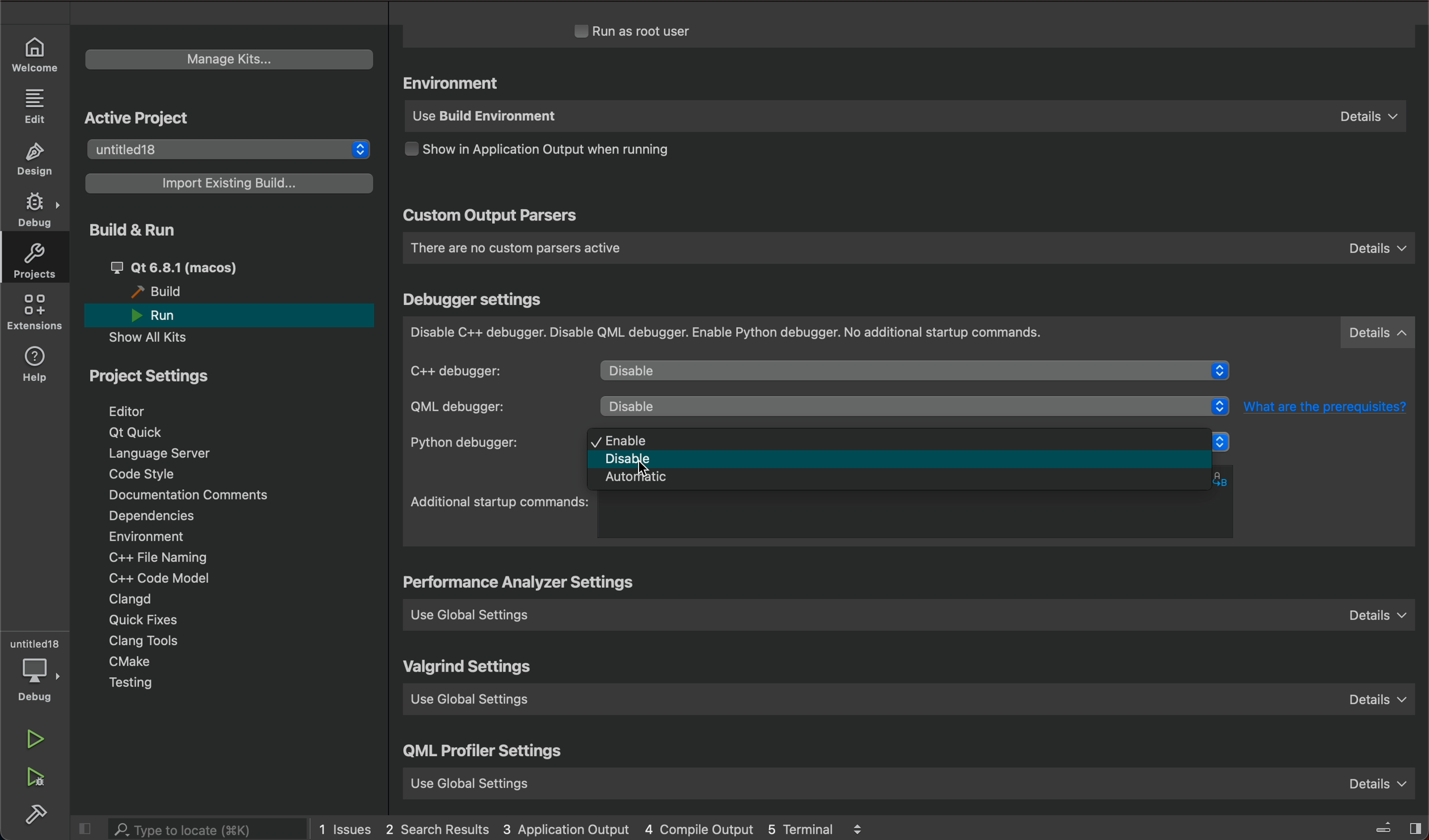  What do you see at coordinates (501, 502) in the screenshot?
I see `startup ` at bounding box center [501, 502].